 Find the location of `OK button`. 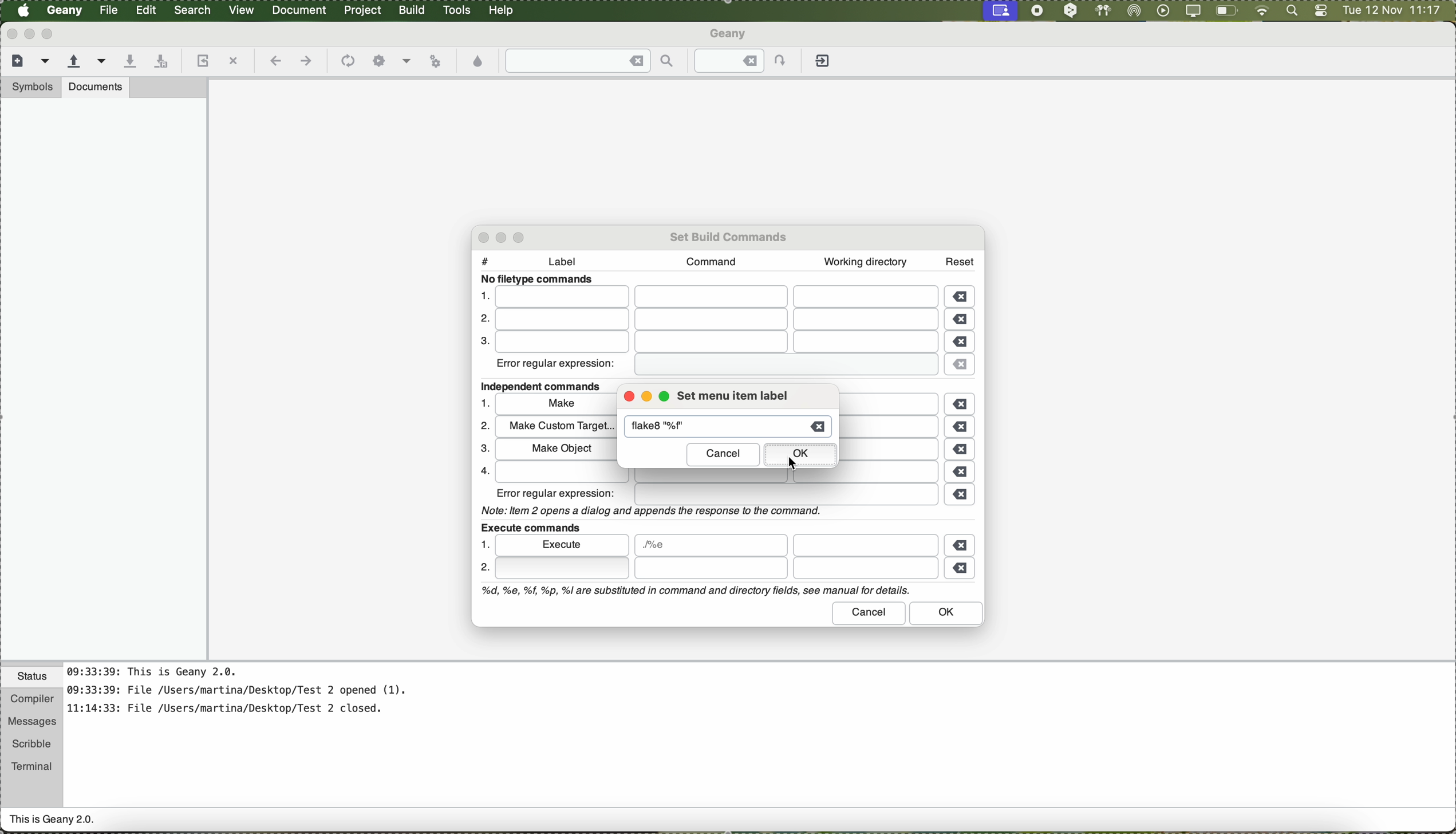

OK button is located at coordinates (947, 614).